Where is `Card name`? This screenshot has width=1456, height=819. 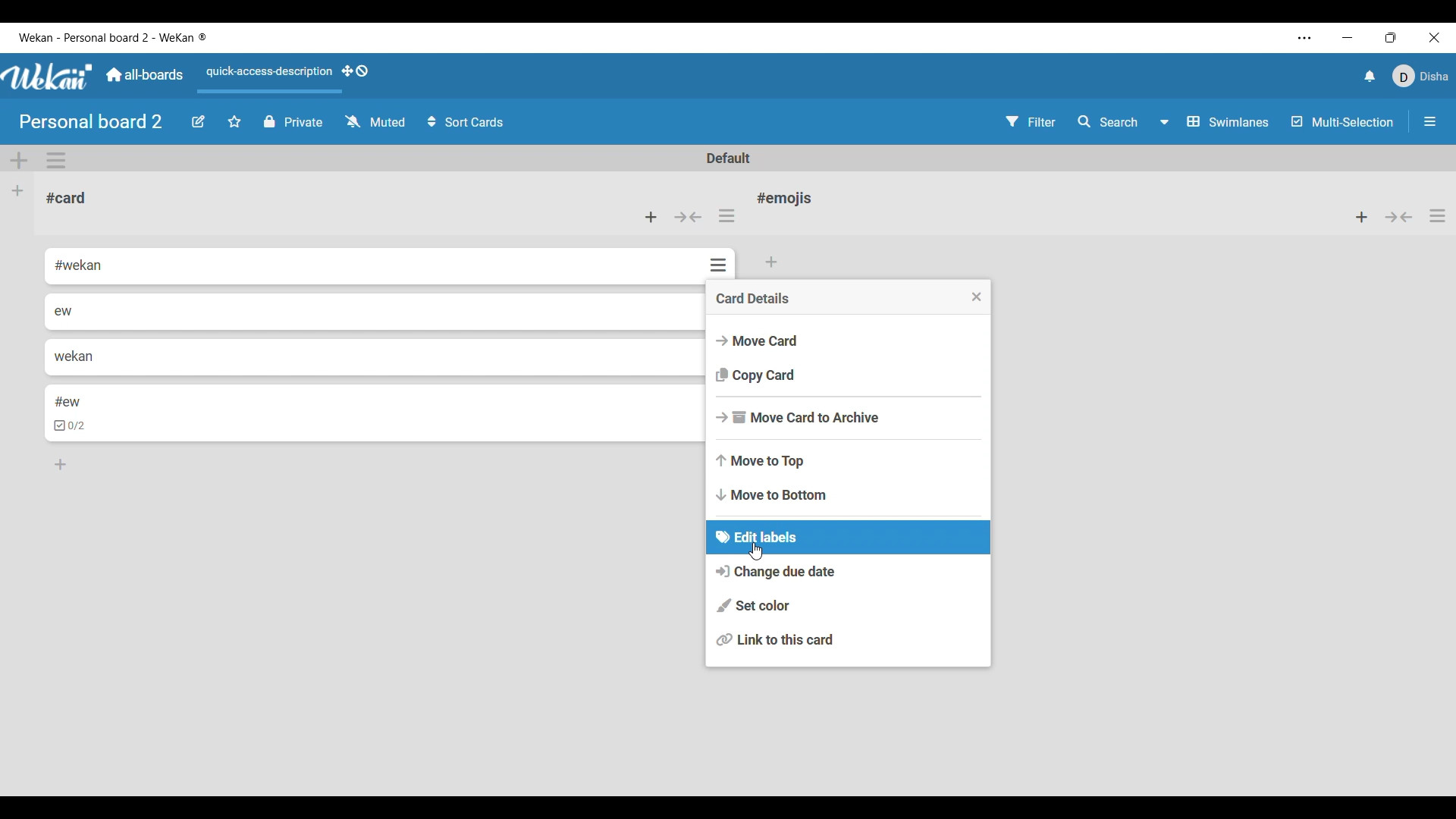 Card name is located at coordinates (66, 198).